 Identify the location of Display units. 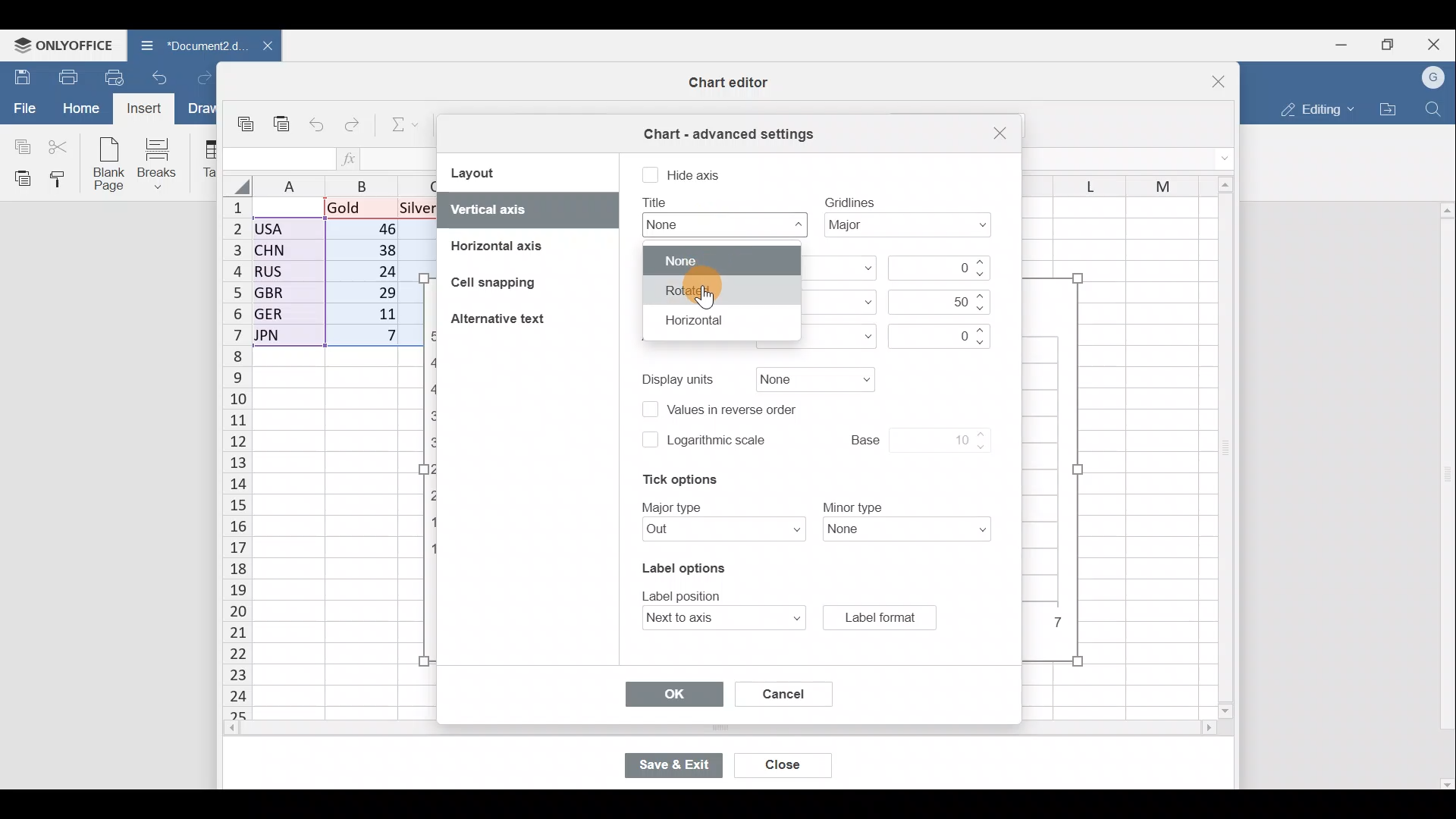
(813, 377).